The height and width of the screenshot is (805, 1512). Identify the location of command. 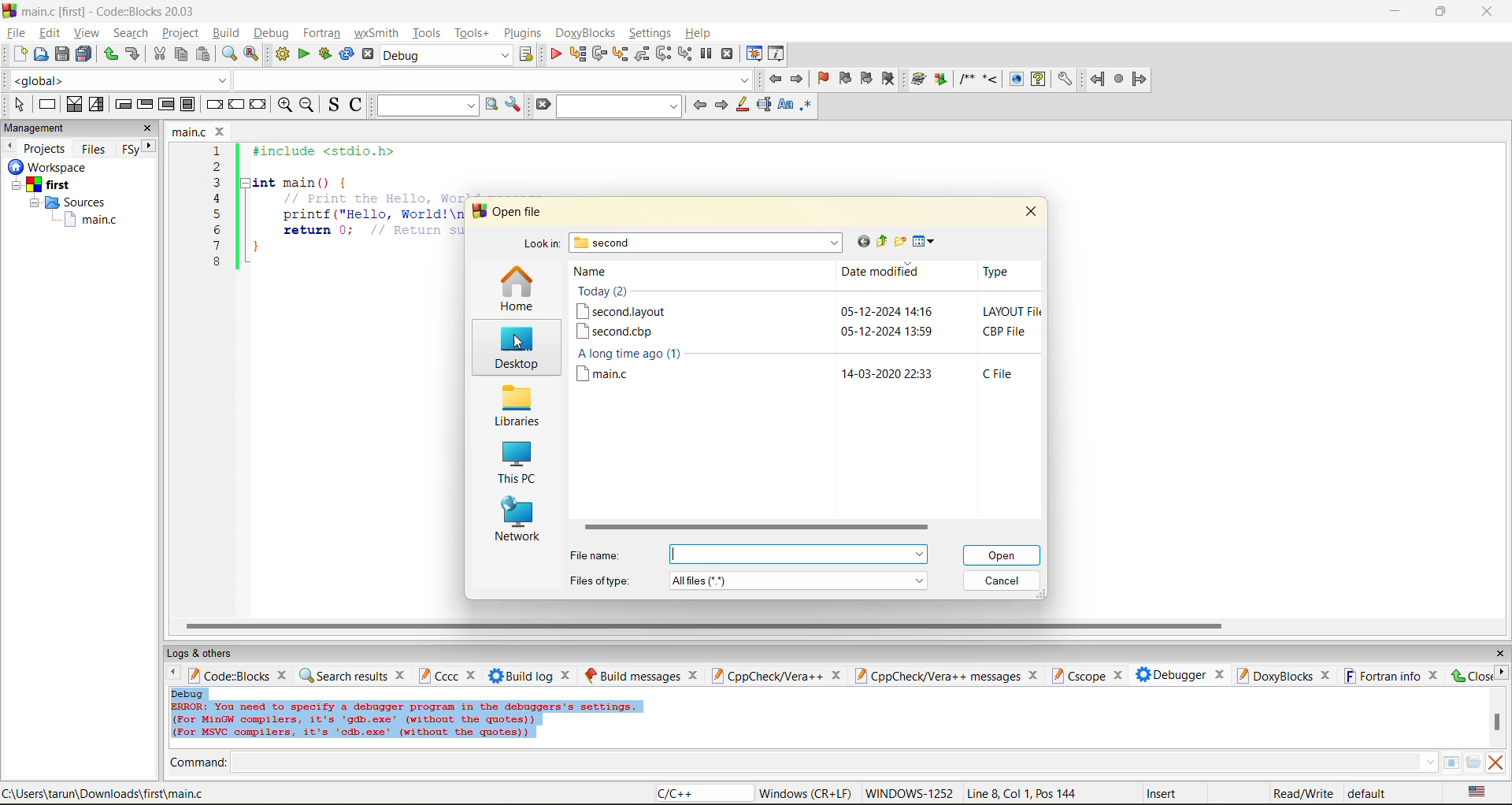
(198, 764).